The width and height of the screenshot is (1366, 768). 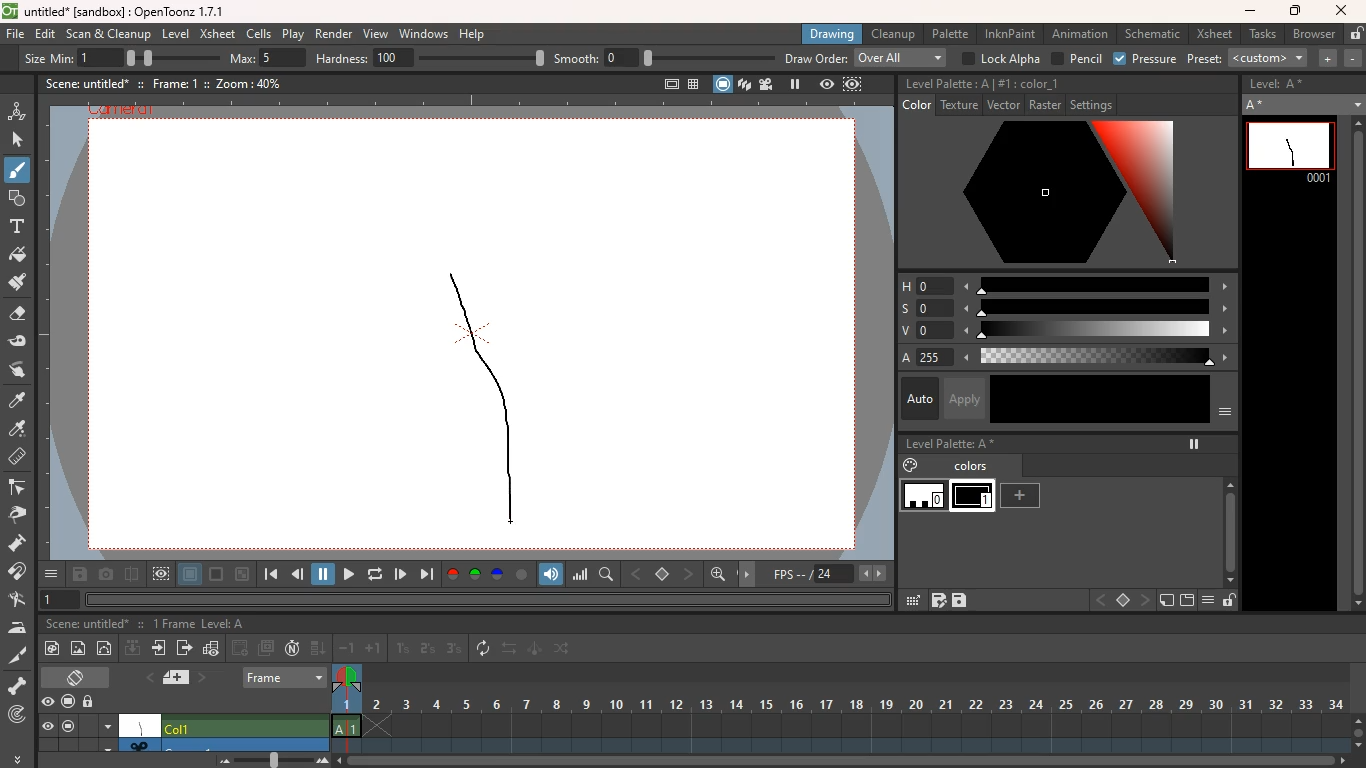 What do you see at coordinates (184, 650) in the screenshot?
I see `forward` at bounding box center [184, 650].